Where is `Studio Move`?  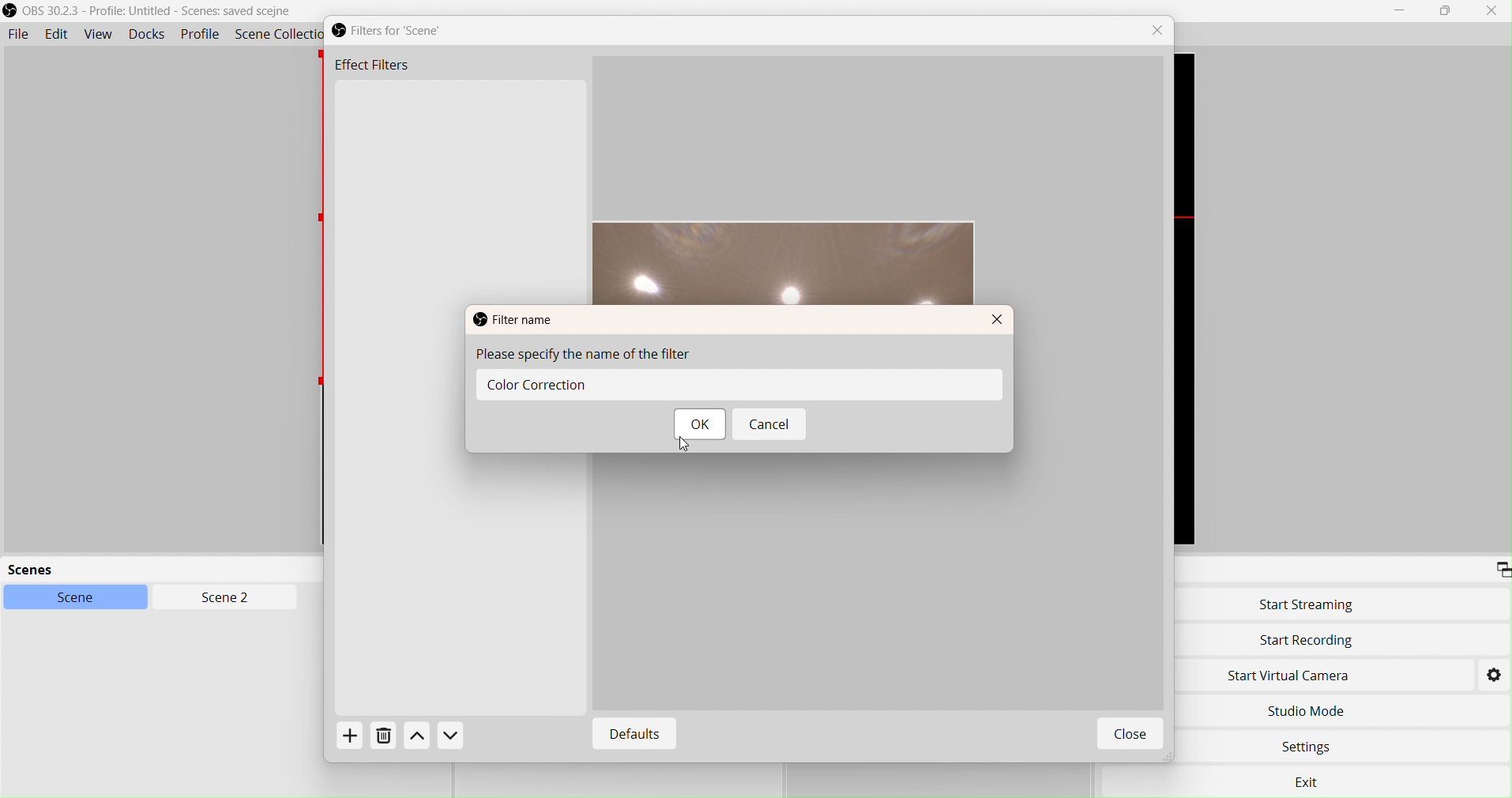
Studio Move is located at coordinates (1307, 708).